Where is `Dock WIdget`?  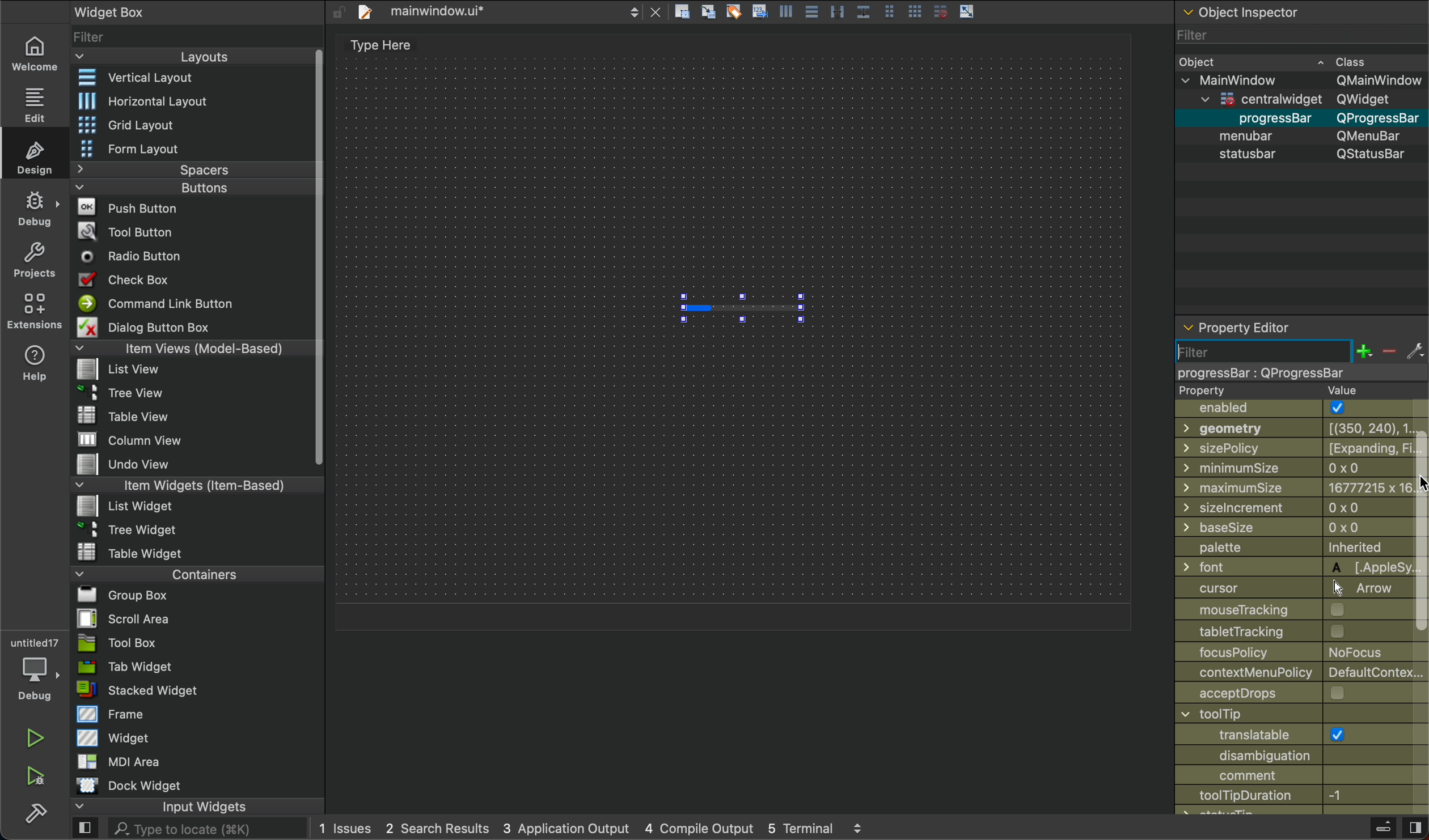
Dock WIdget is located at coordinates (129, 786).